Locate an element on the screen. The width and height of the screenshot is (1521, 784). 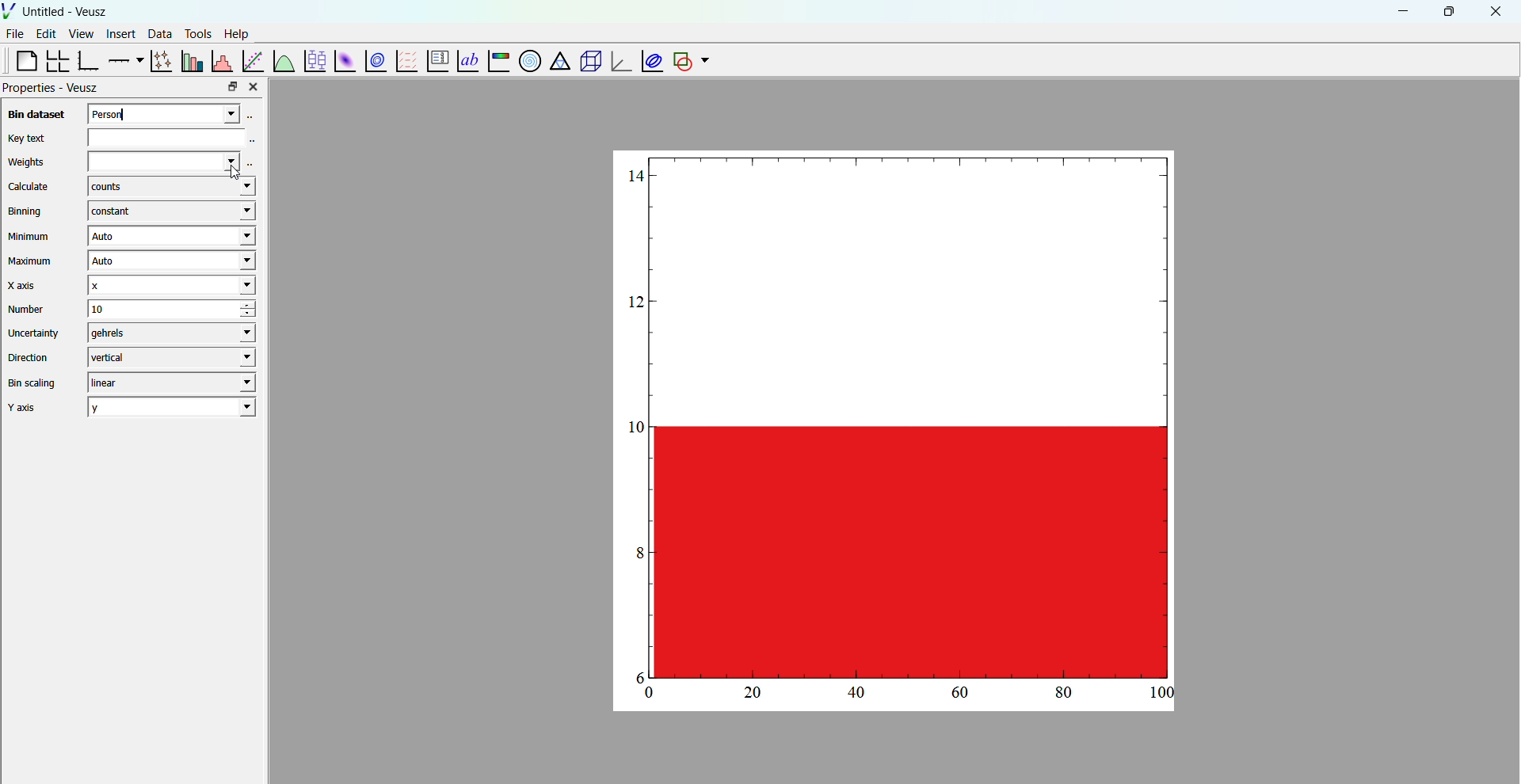
Y axis is located at coordinates (28, 408).